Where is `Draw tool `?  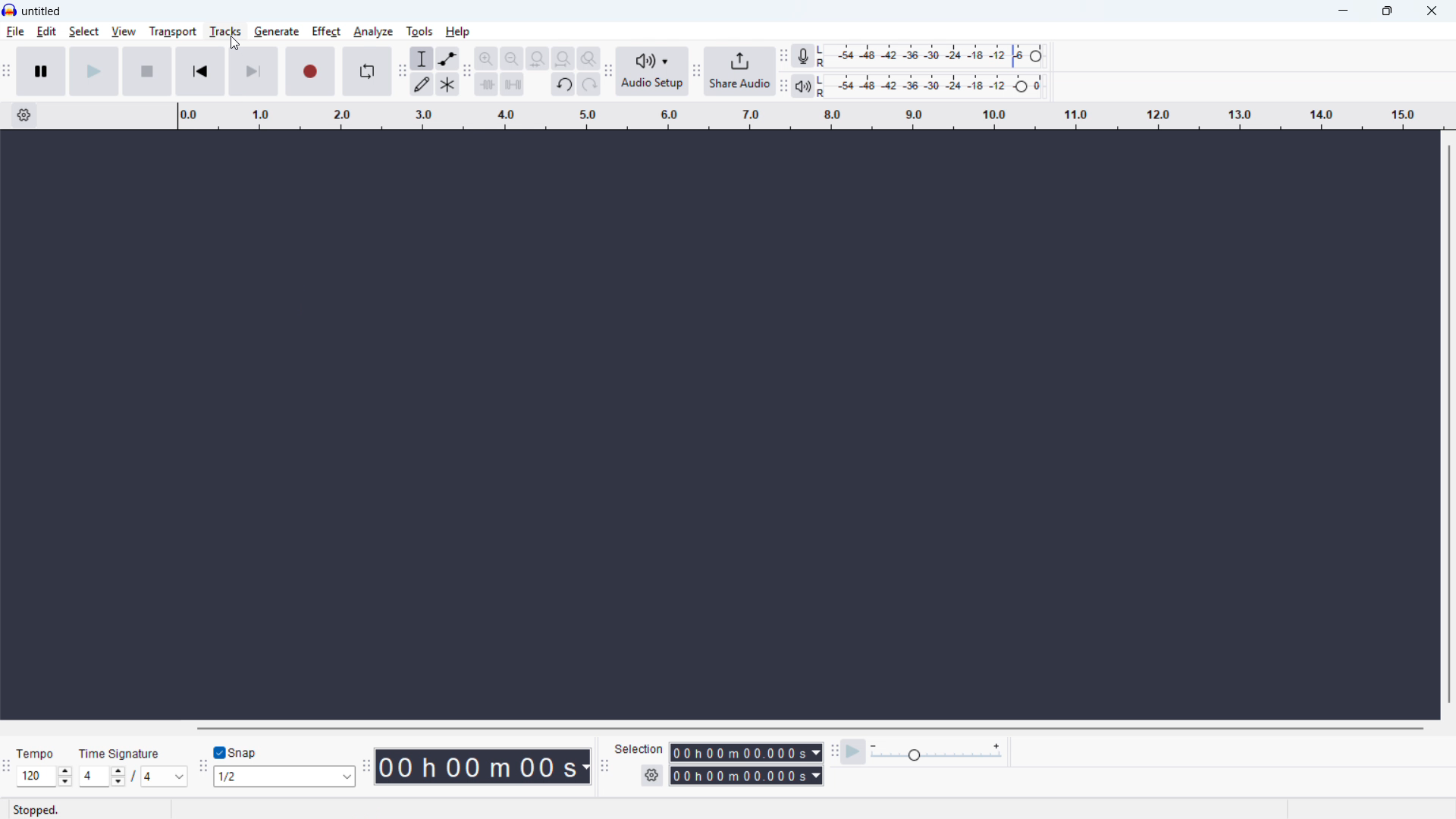
Draw tool  is located at coordinates (422, 83).